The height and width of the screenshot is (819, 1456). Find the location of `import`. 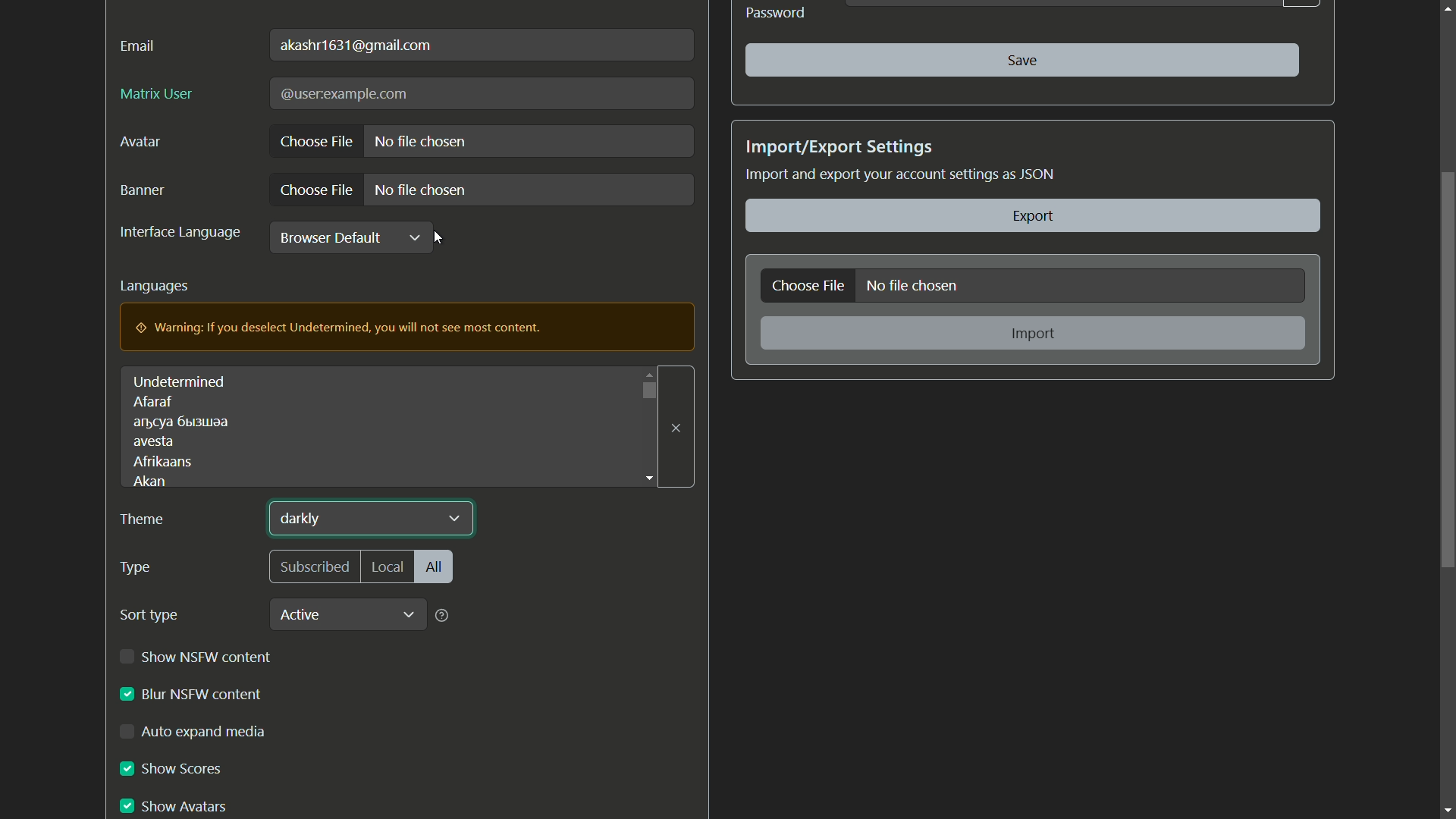

import is located at coordinates (1031, 334).